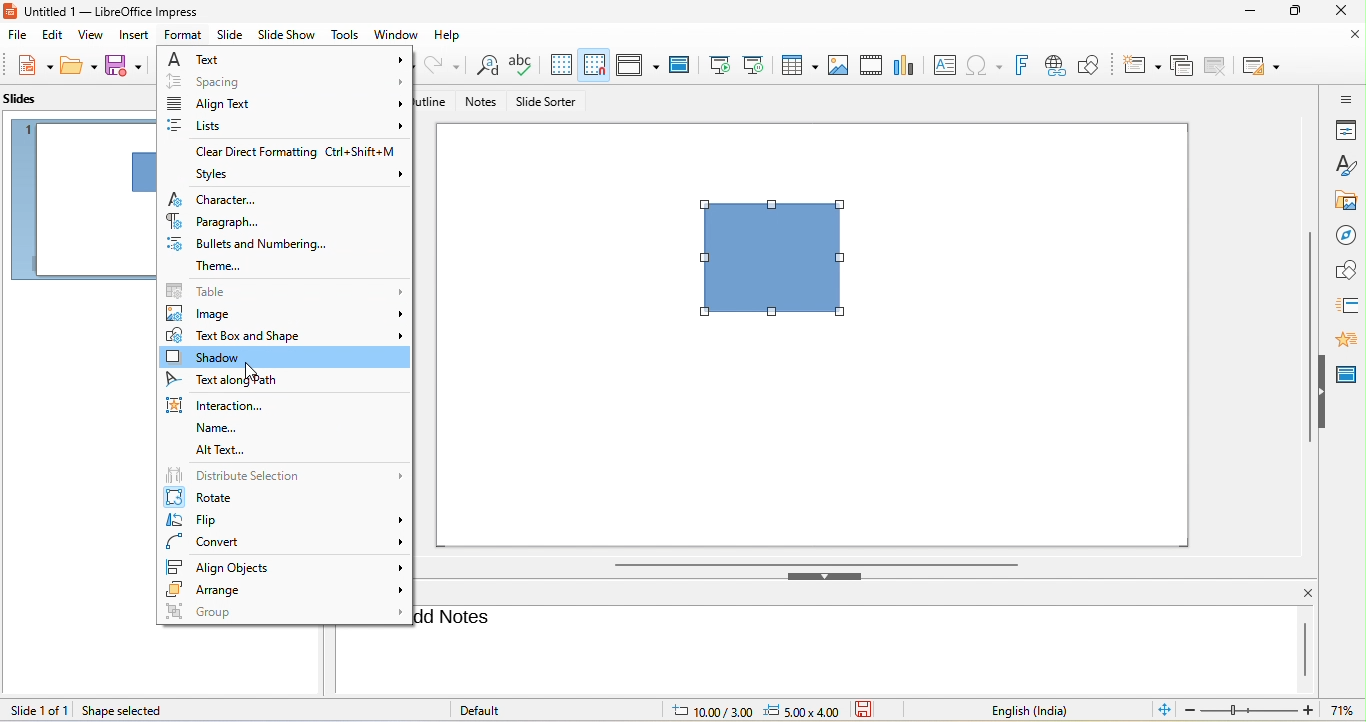 Image resolution: width=1366 pixels, height=722 pixels. What do you see at coordinates (873, 710) in the screenshot?
I see `the document has not been modified since the last save` at bounding box center [873, 710].